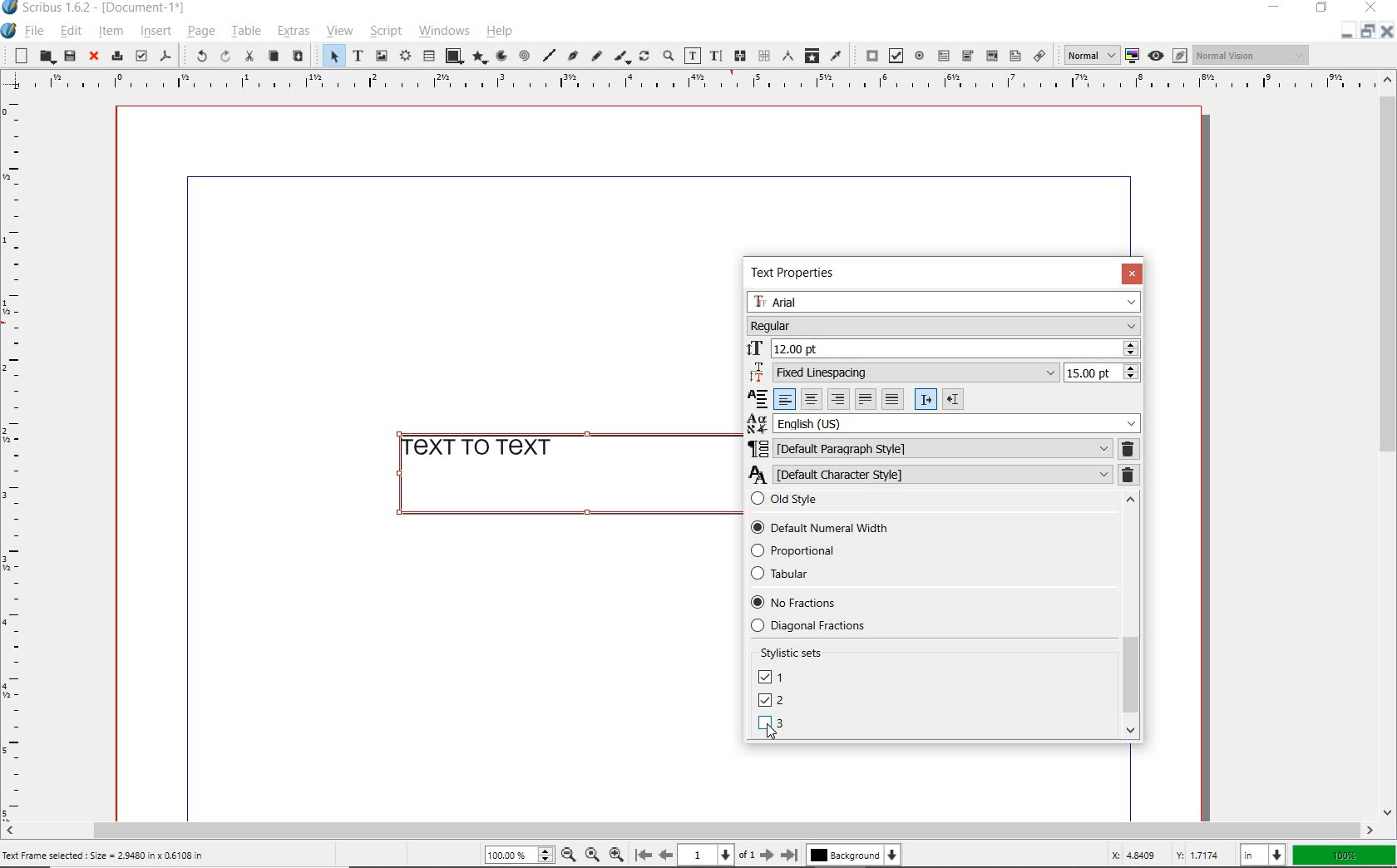  What do you see at coordinates (383, 32) in the screenshot?
I see `script` at bounding box center [383, 32].